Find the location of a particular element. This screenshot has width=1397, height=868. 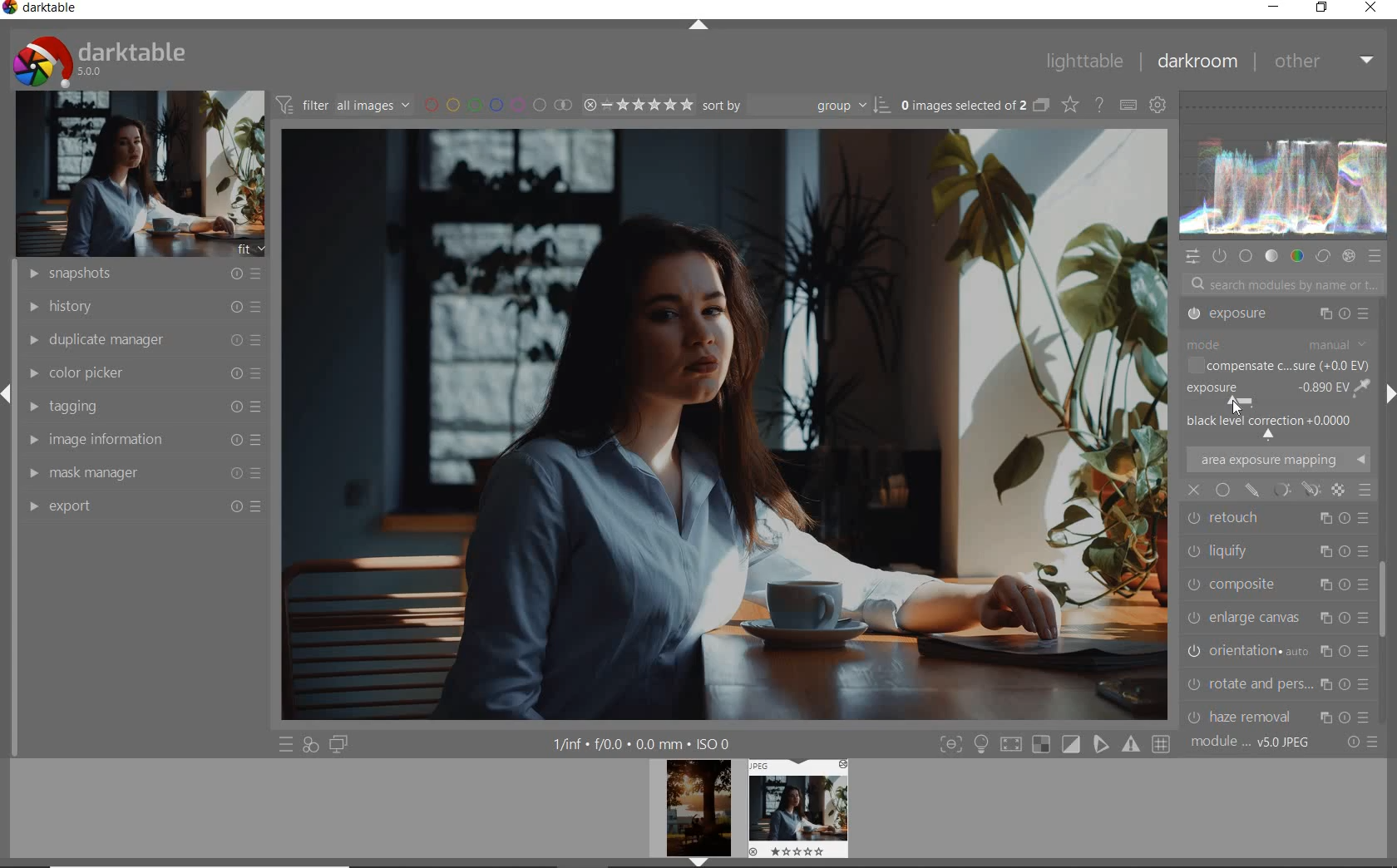

SNAPSHOTS is located at coordinates (146, 273).